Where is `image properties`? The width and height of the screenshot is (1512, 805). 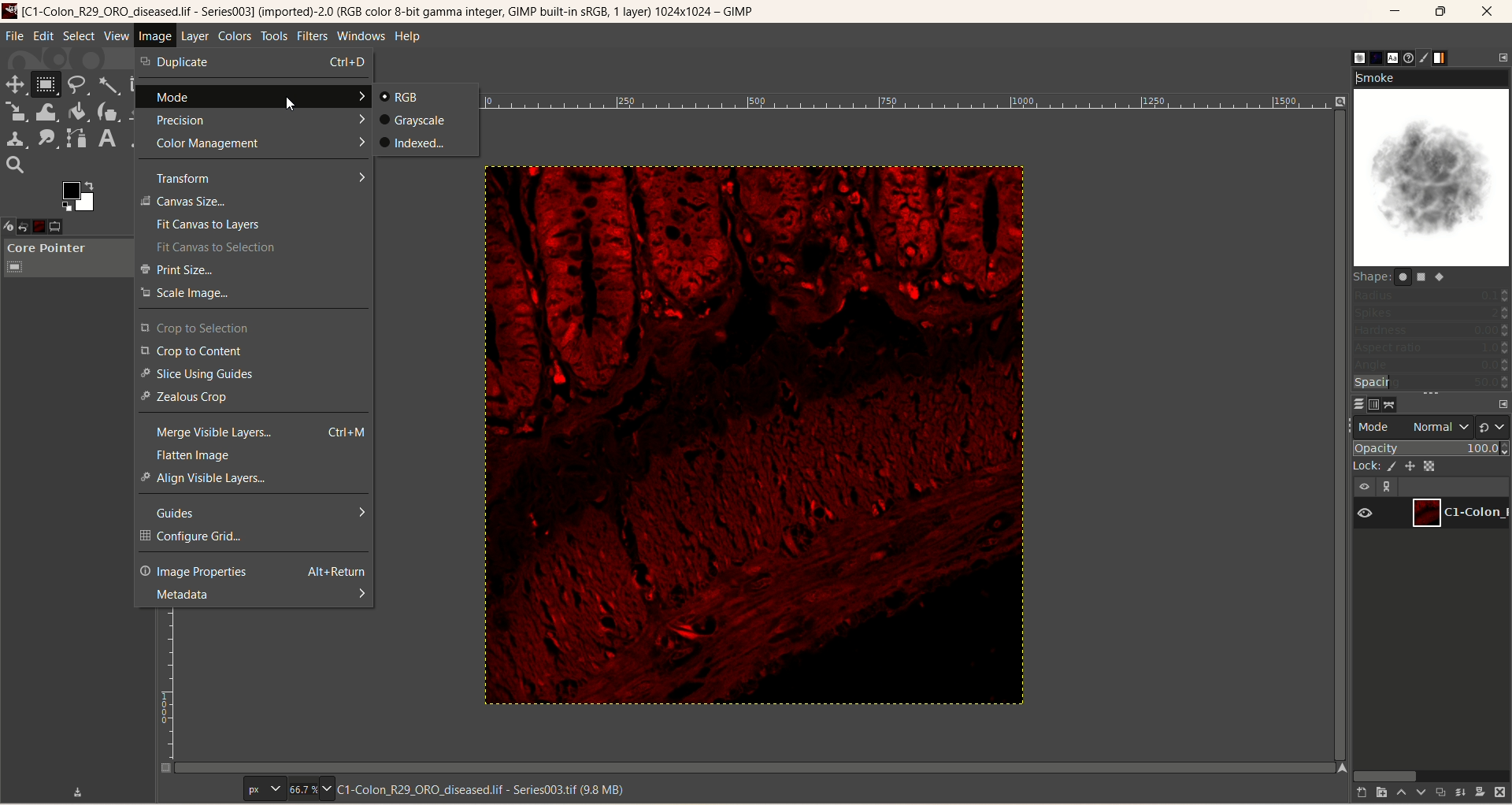
image properties is located at coordinates (254, 572).